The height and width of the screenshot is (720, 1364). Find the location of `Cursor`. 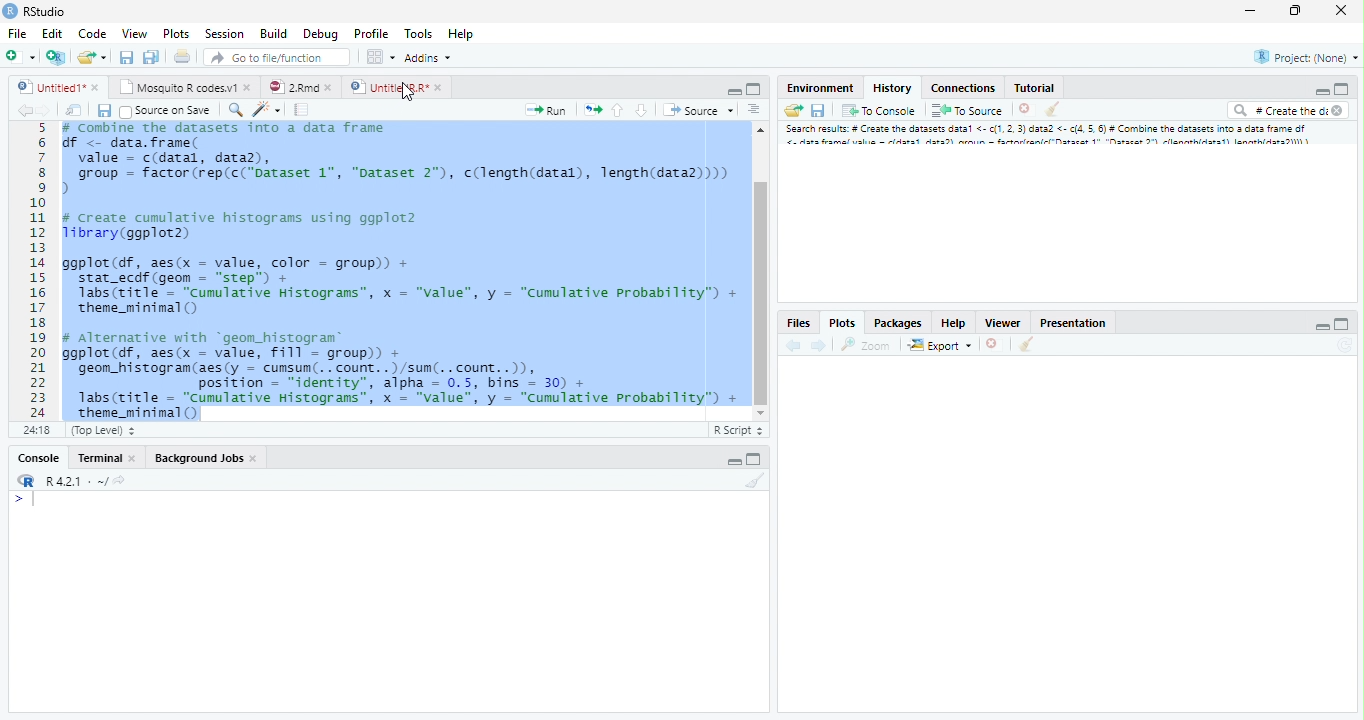

Cursor is located at coordinates (408, 92).